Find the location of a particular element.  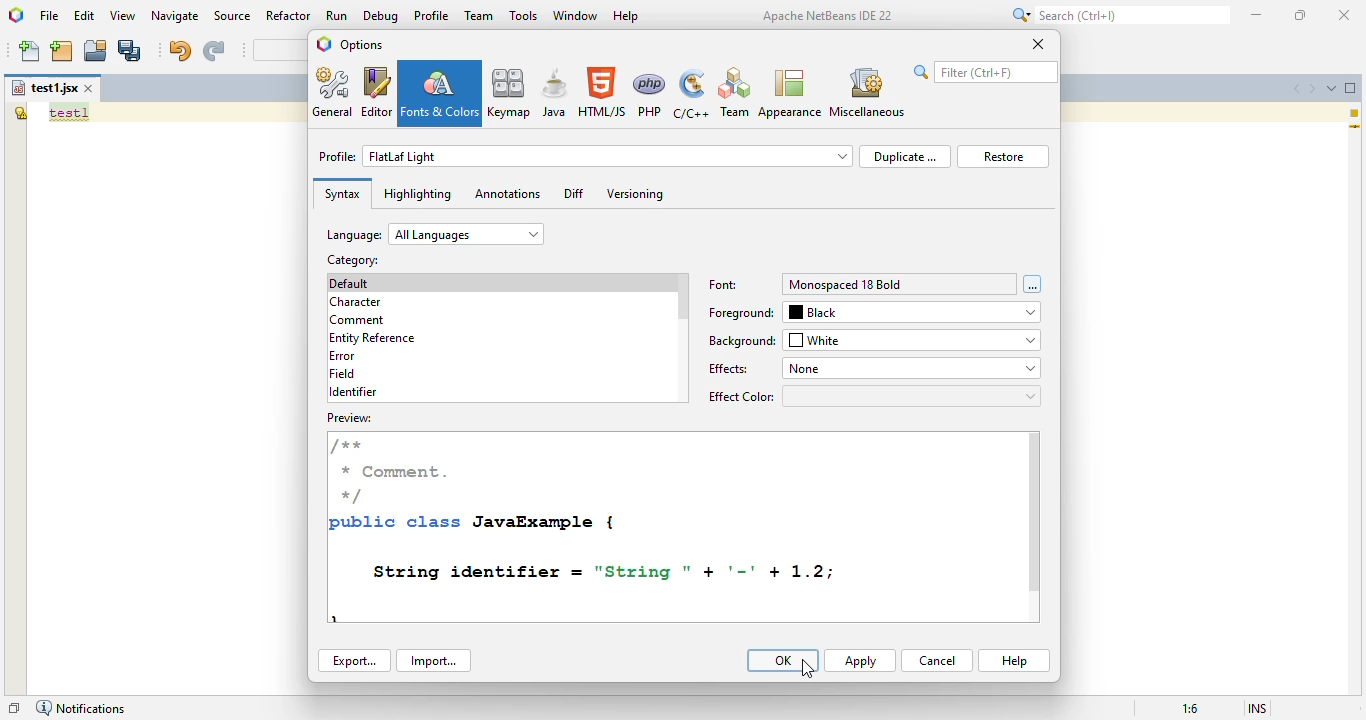

appearance is located at coordinates (789, 93).